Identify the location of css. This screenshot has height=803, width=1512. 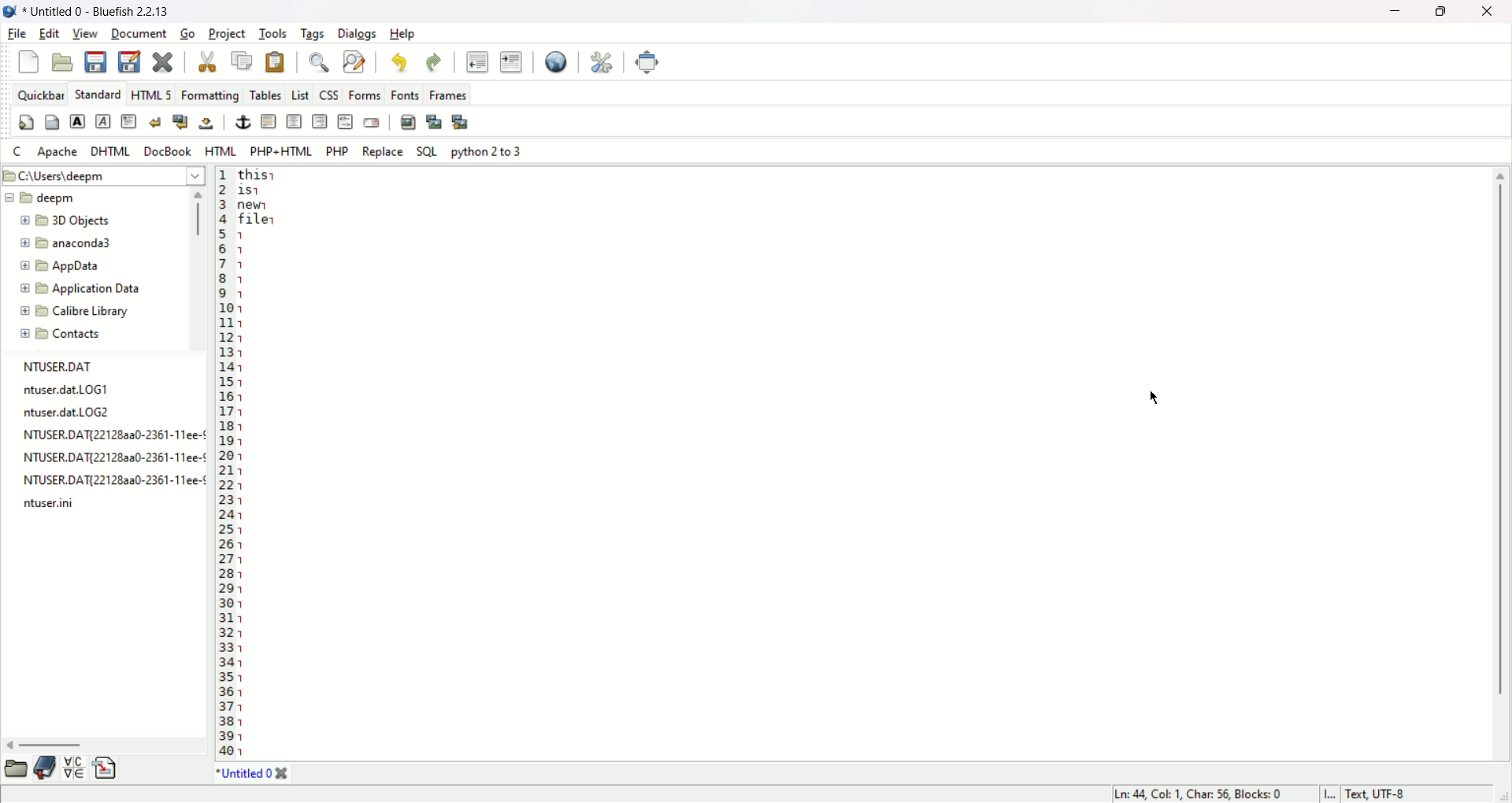
(328, 94).